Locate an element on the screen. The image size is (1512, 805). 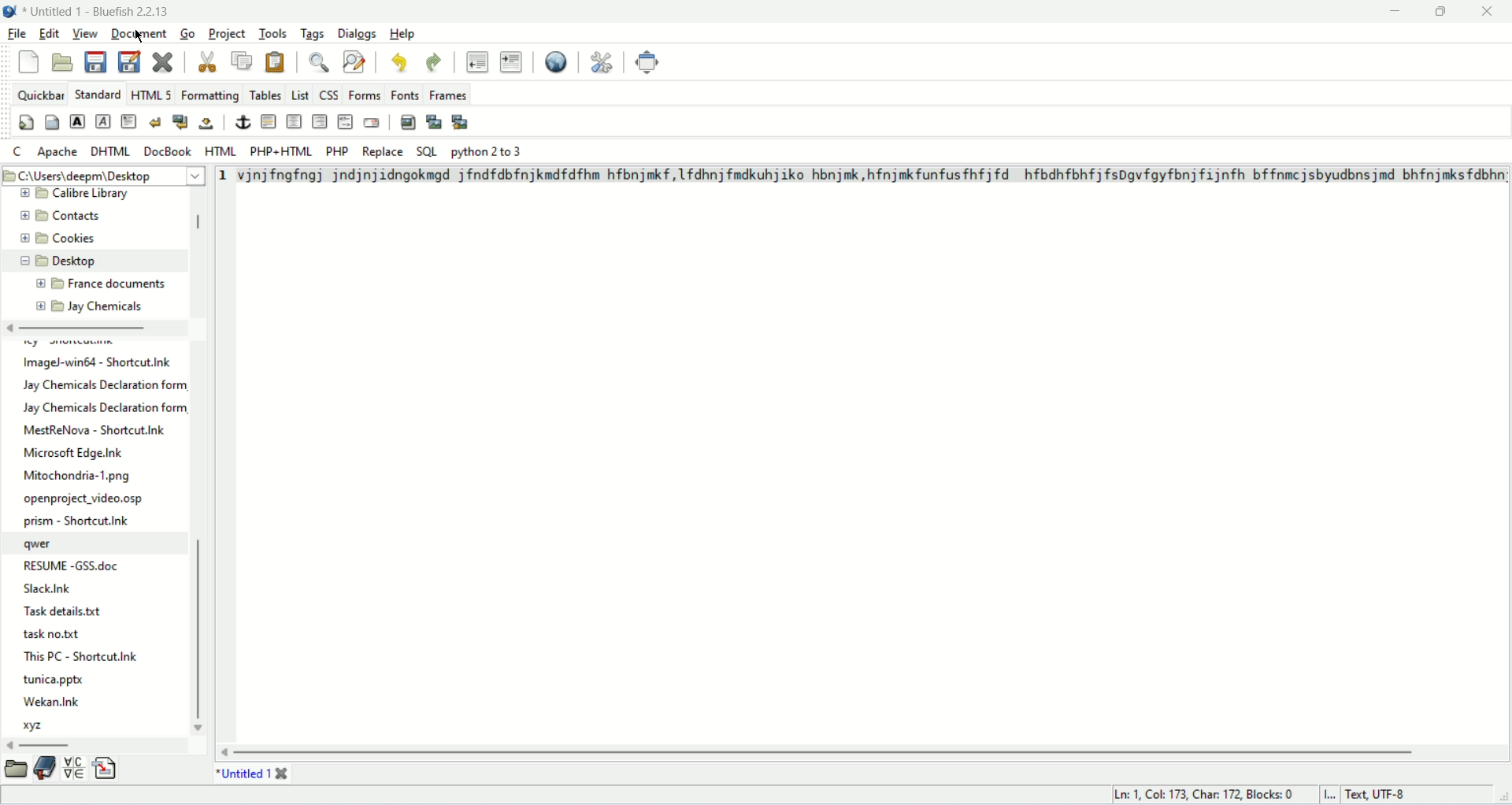
view is located at coordinates (86, 33).